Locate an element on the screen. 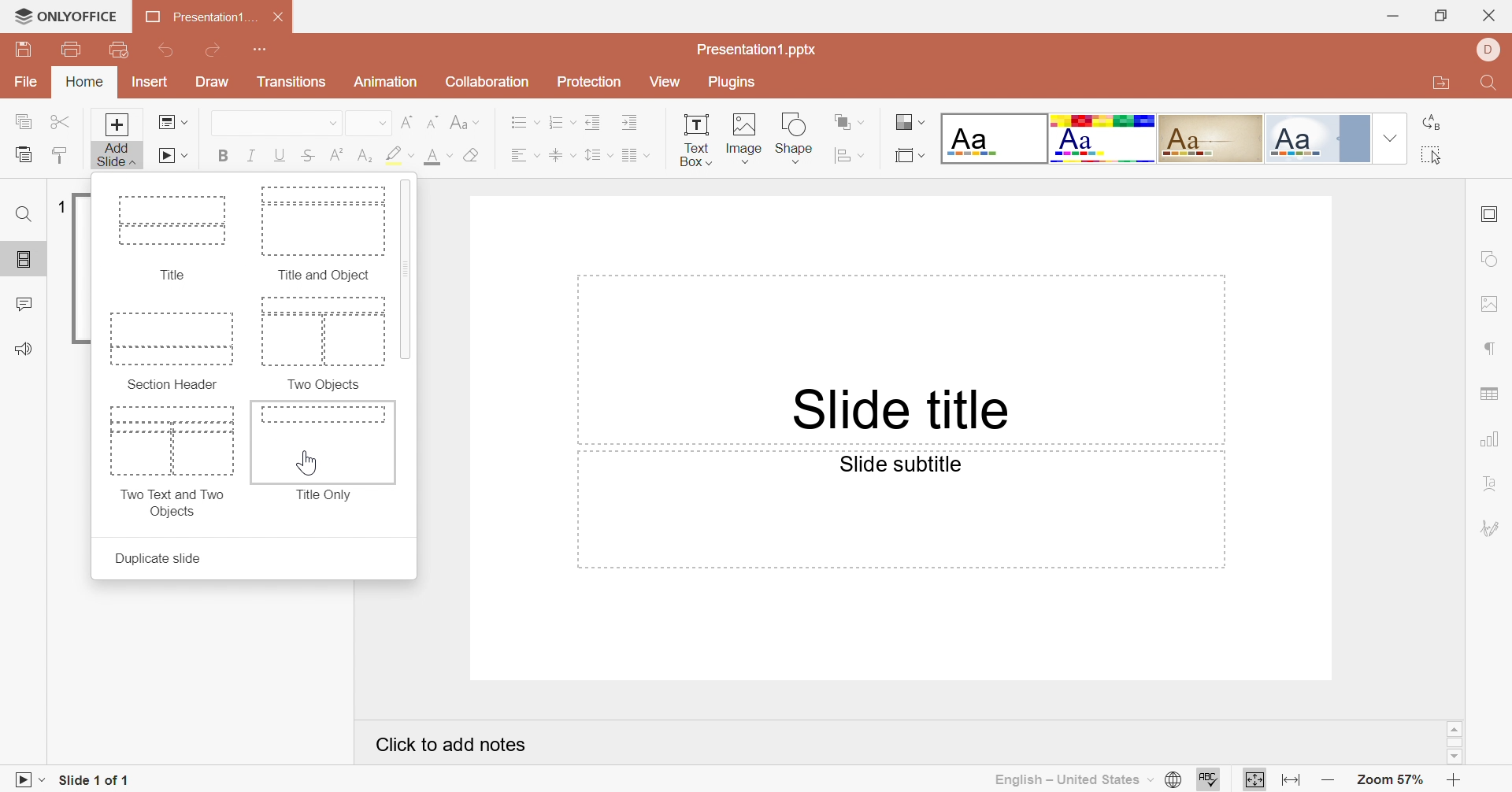  Italic is located at coordinates (253, 154).